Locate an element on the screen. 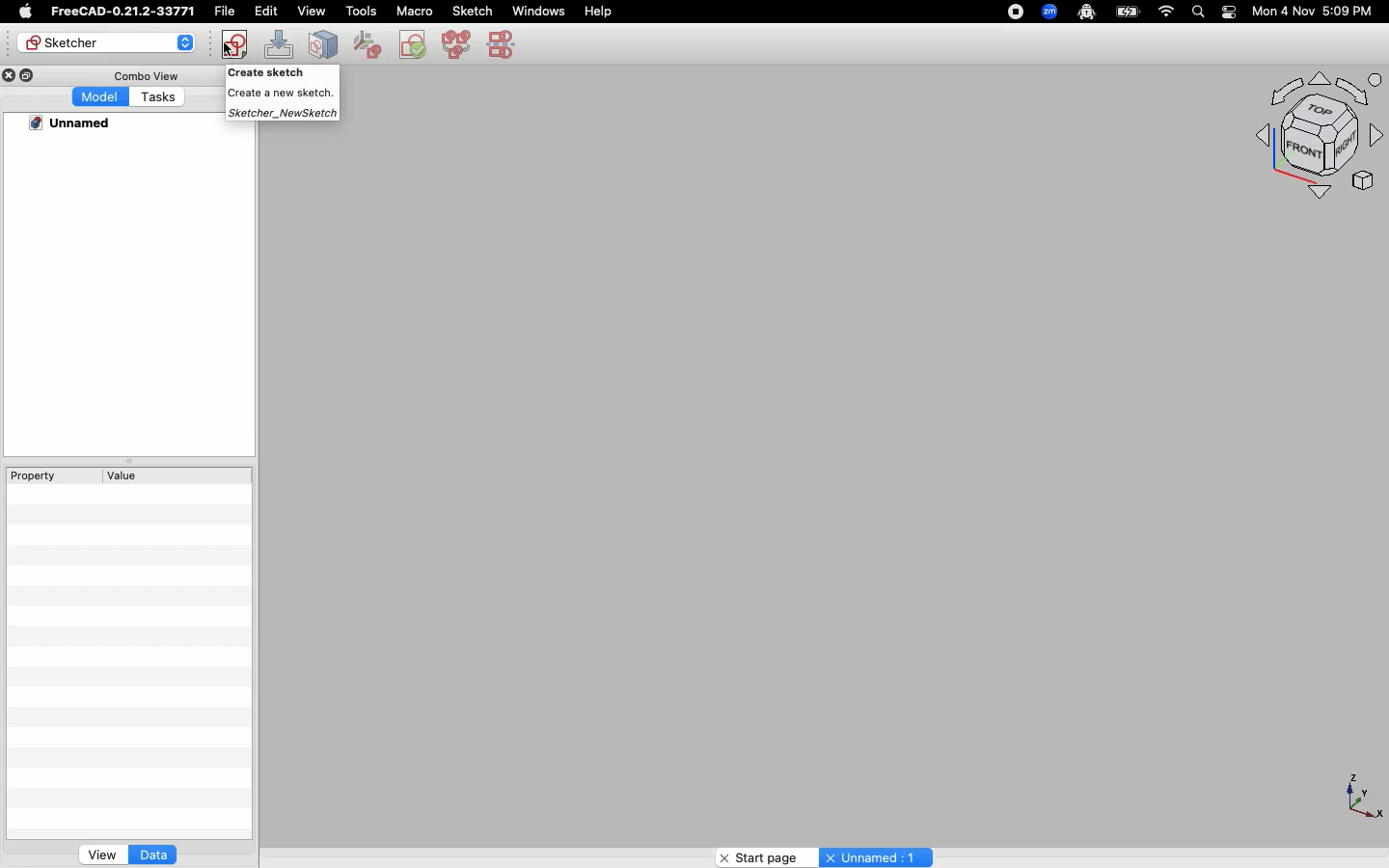 This screenshot has height=868, width=1389. Data is located at coordinates (154, 854).